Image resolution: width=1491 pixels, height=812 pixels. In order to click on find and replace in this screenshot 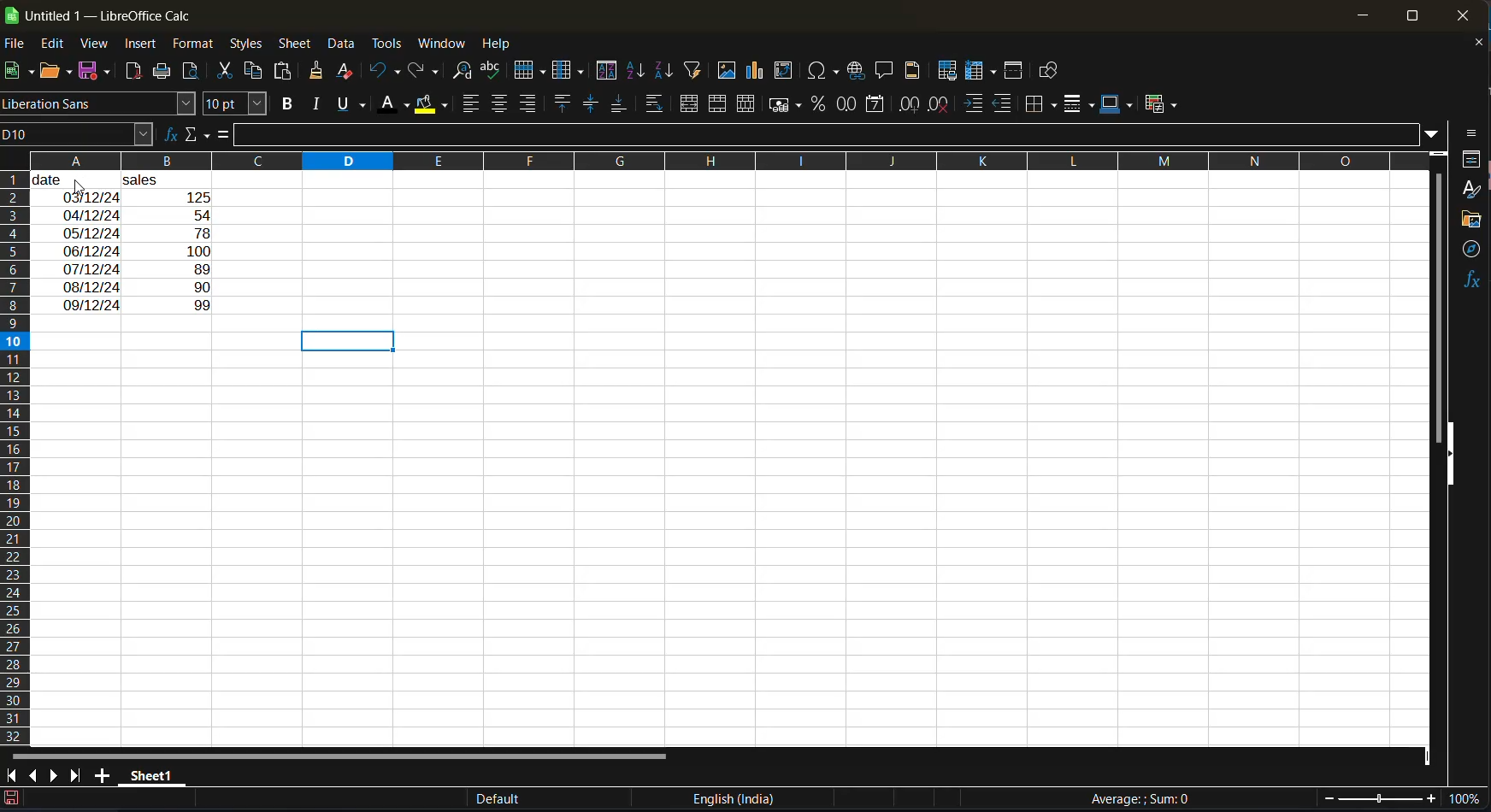, I will do `click(462, 74)`.